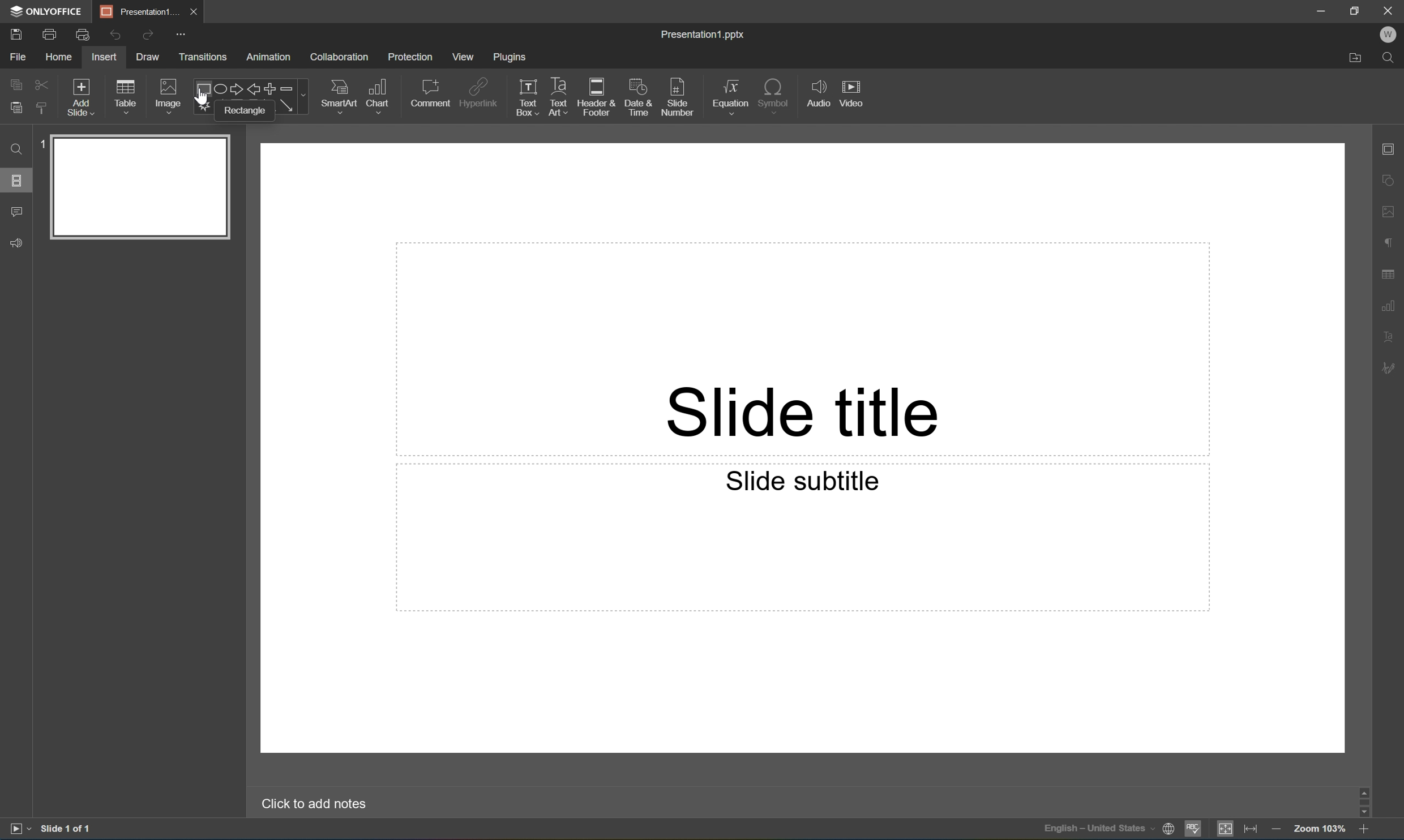 This screenshot has width=1404, height=840. Describe the element at coordinates (18, 57) in the screenshot. I see `File` at that location.